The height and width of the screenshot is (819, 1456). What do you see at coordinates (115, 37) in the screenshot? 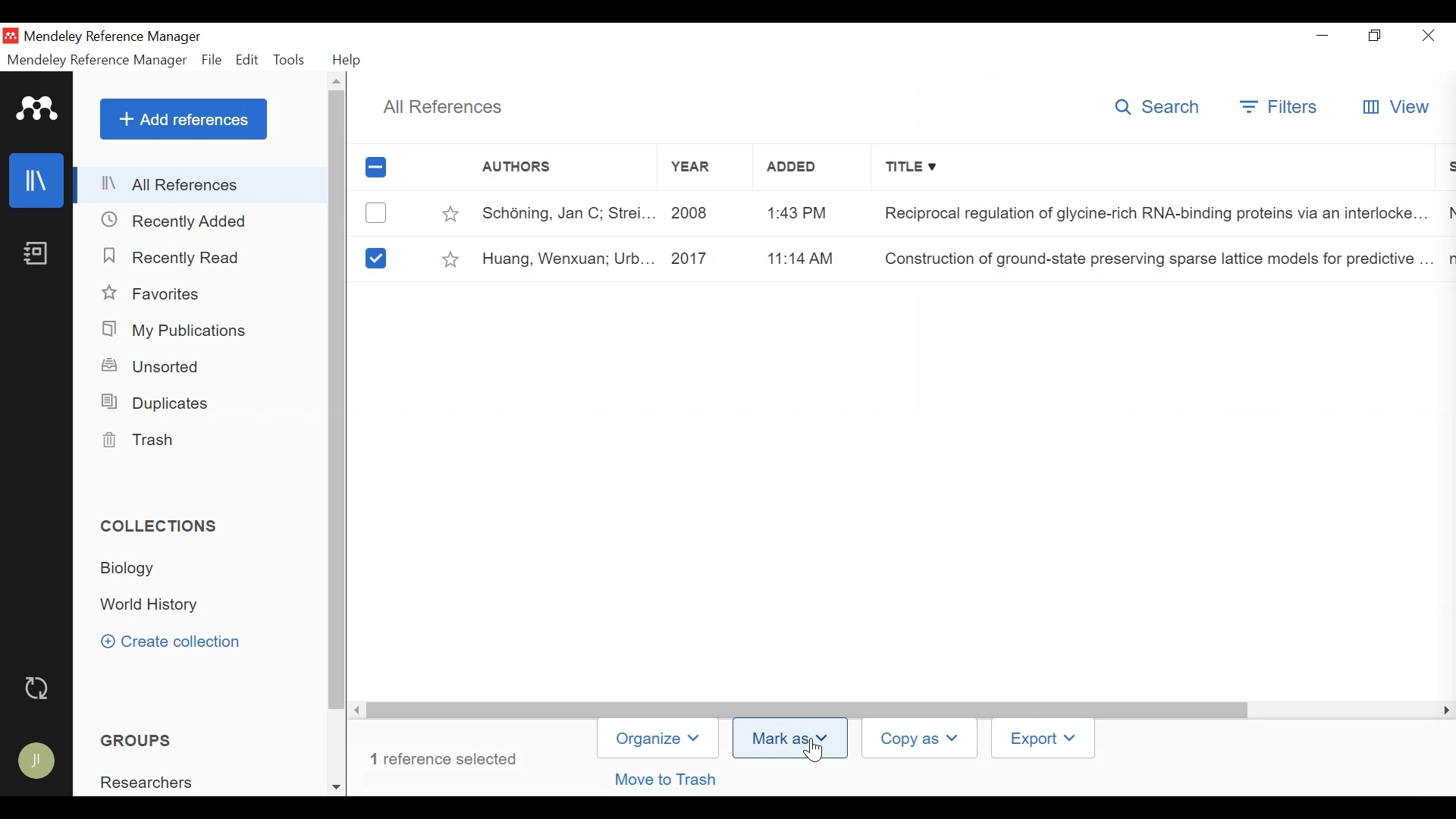
I see `Mendeley Reference Manager` at bounding box center [115, 37].